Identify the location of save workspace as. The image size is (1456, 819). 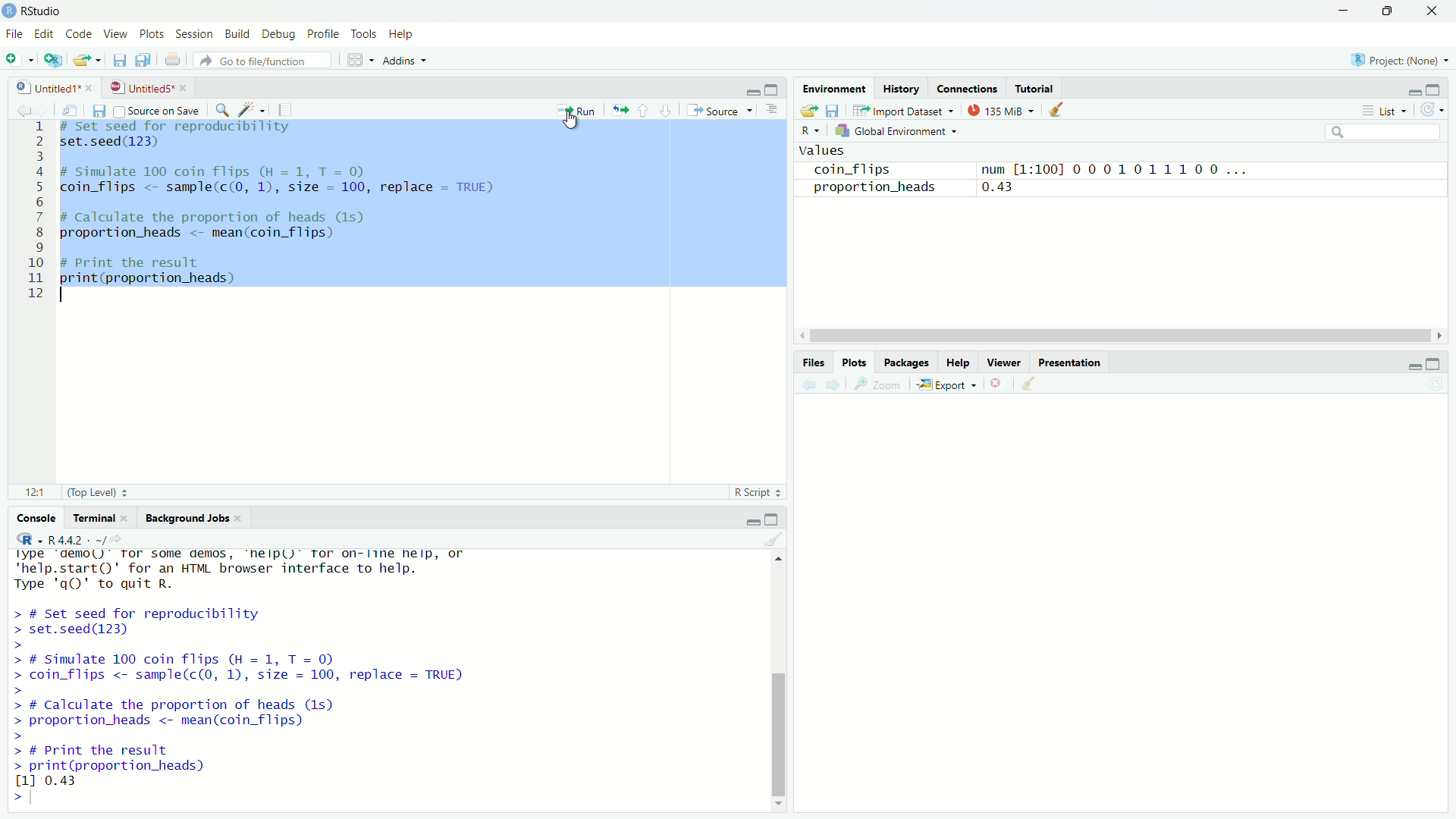
(835, 111).